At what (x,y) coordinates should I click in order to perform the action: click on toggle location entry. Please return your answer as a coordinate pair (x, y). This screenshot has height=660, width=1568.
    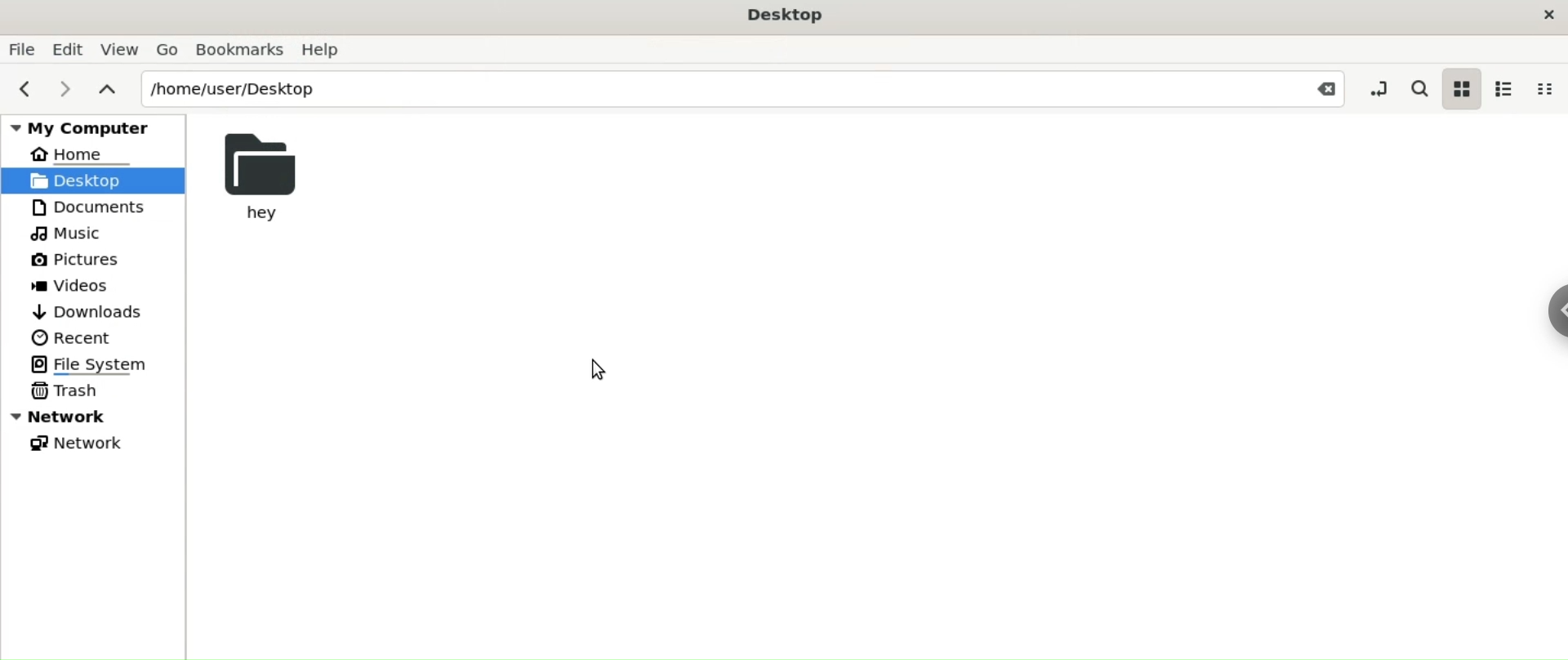
    Looking at the image, I should click on (1377, 87).